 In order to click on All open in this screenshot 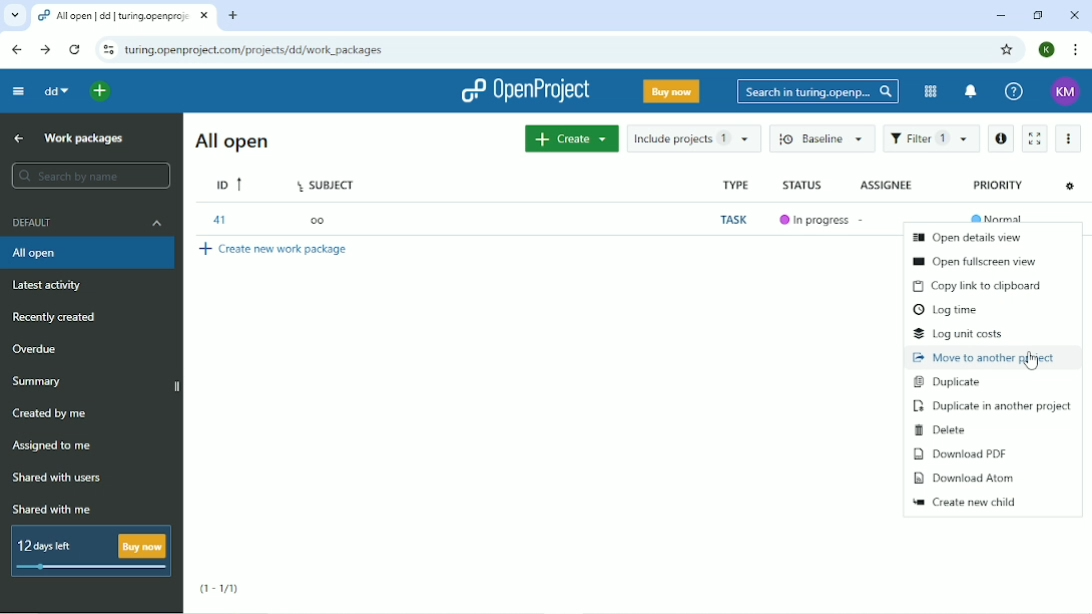, I will do `click(87, 253)`.